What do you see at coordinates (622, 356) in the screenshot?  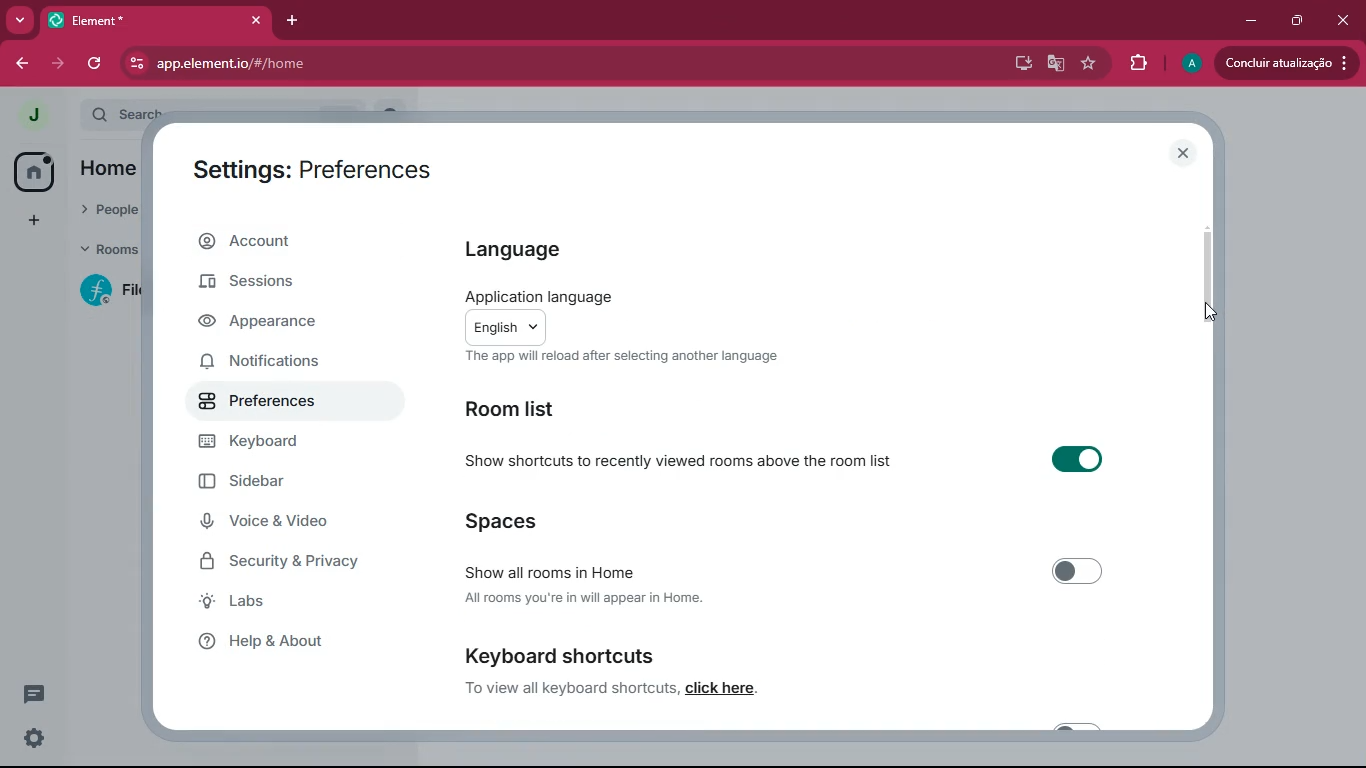 I see `The app will reload after selecting another language` at bounding box center [622, 356].